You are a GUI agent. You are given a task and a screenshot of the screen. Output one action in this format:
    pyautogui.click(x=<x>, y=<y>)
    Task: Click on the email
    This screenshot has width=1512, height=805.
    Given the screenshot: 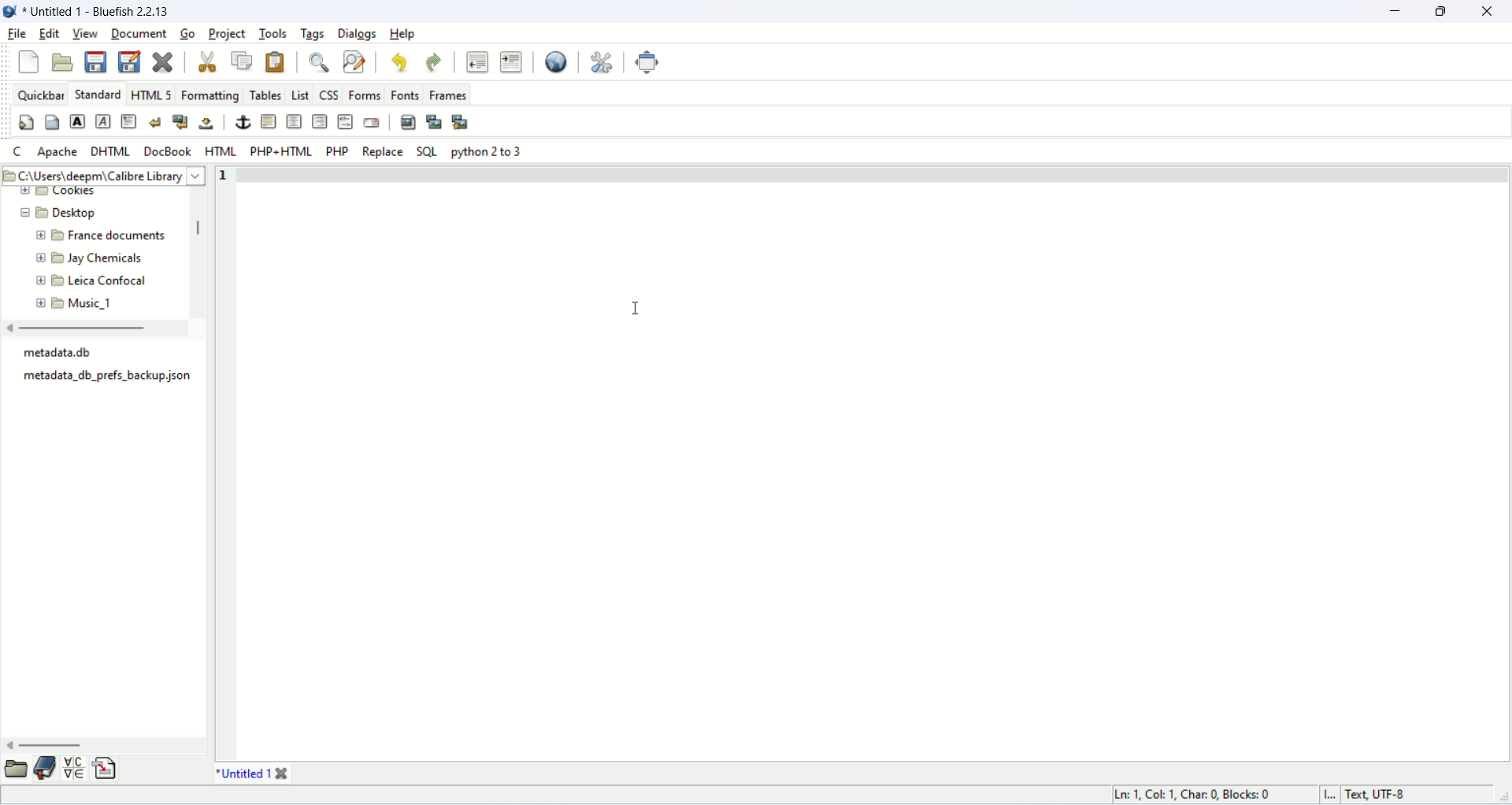 What is the action you would take?
    pyautogui.click(x=371, y=122)
    